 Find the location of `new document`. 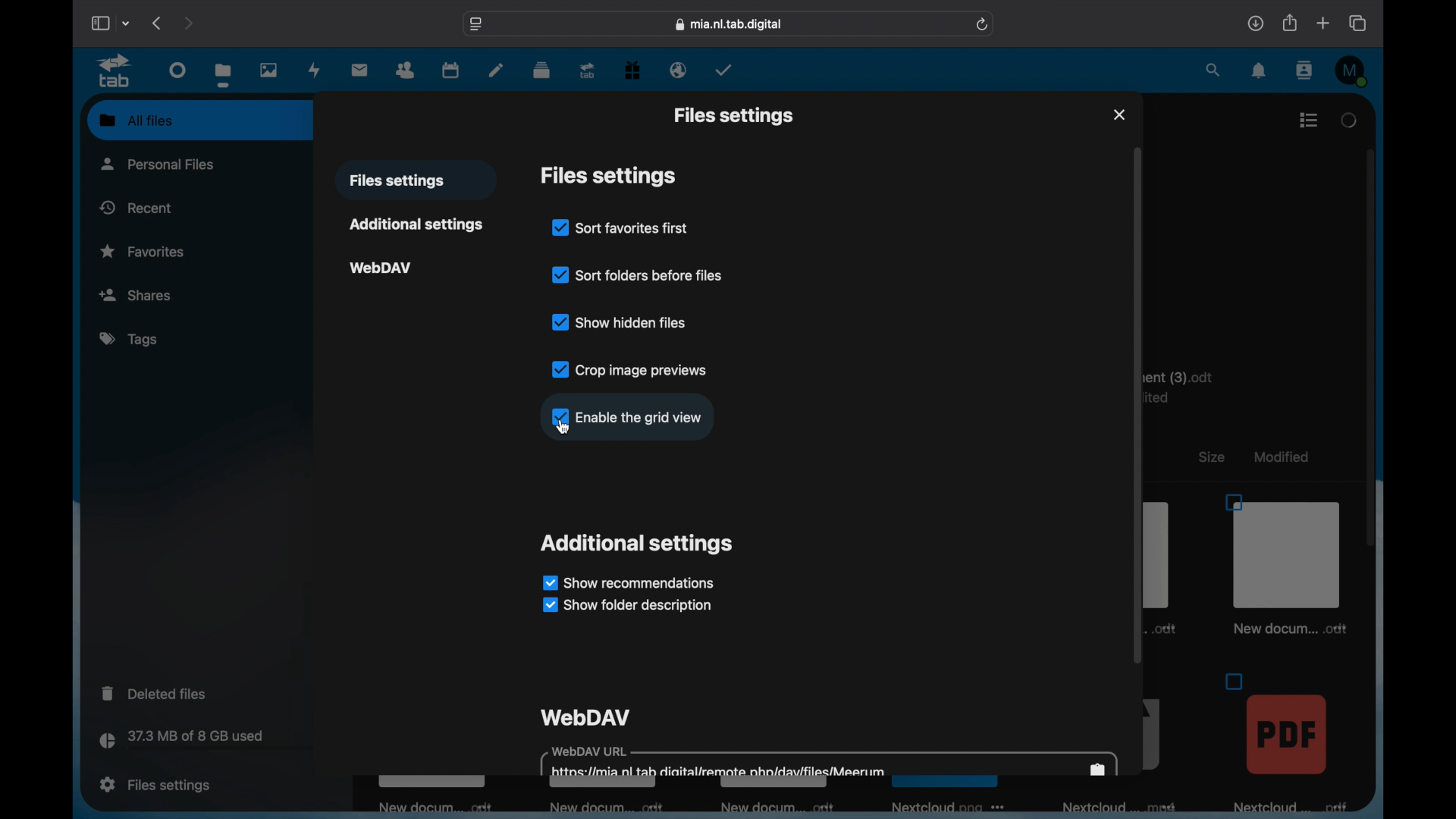

new document is located at coordinates (606, 809).